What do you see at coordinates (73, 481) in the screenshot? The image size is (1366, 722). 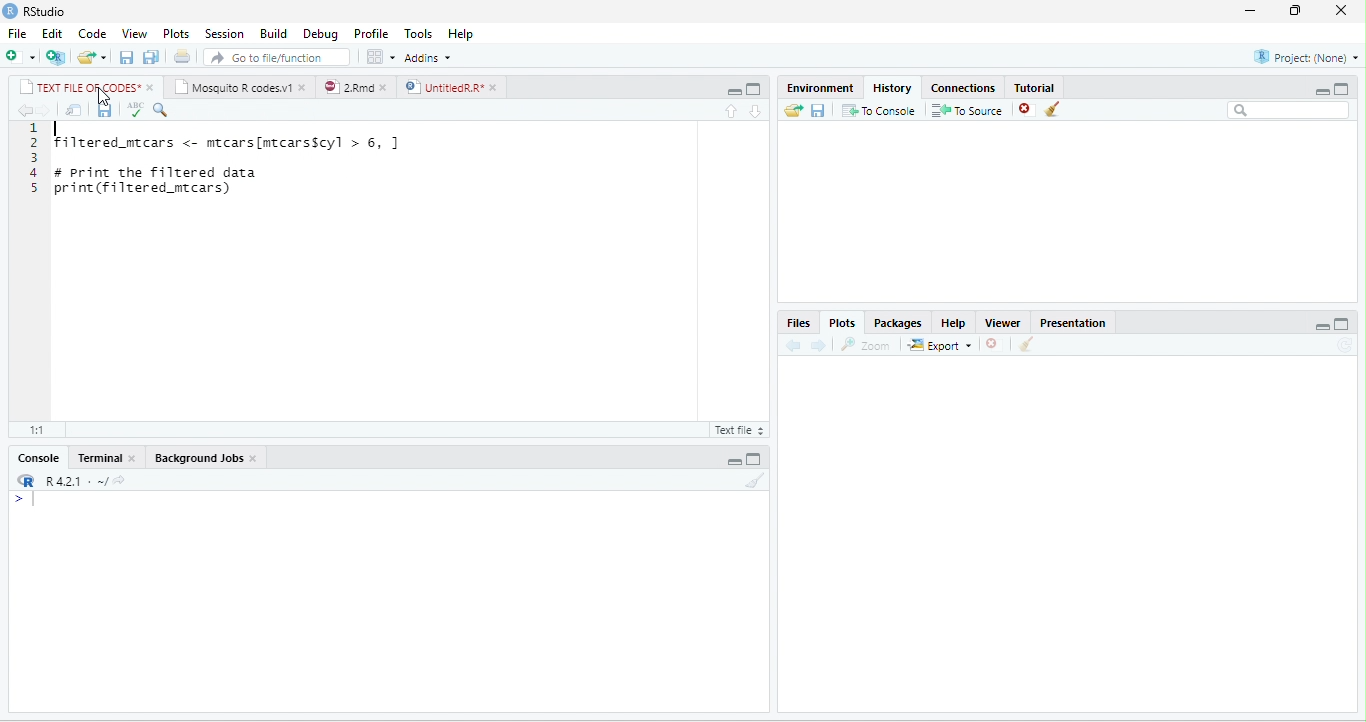 I see `R 4.2.1 ~/` at bounding box center [73, 481].